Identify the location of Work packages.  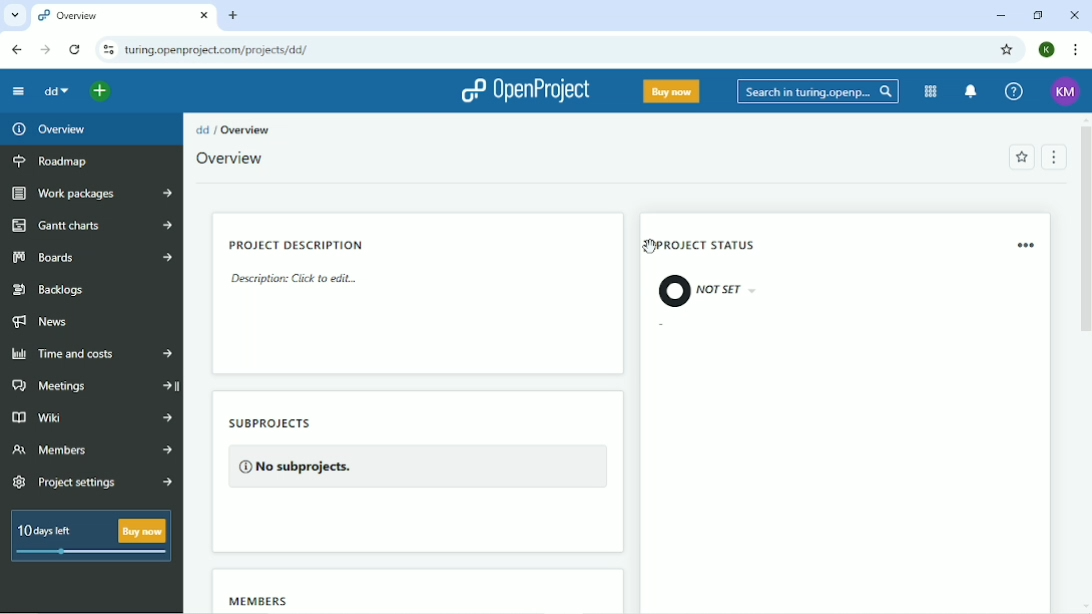
(93, 193).